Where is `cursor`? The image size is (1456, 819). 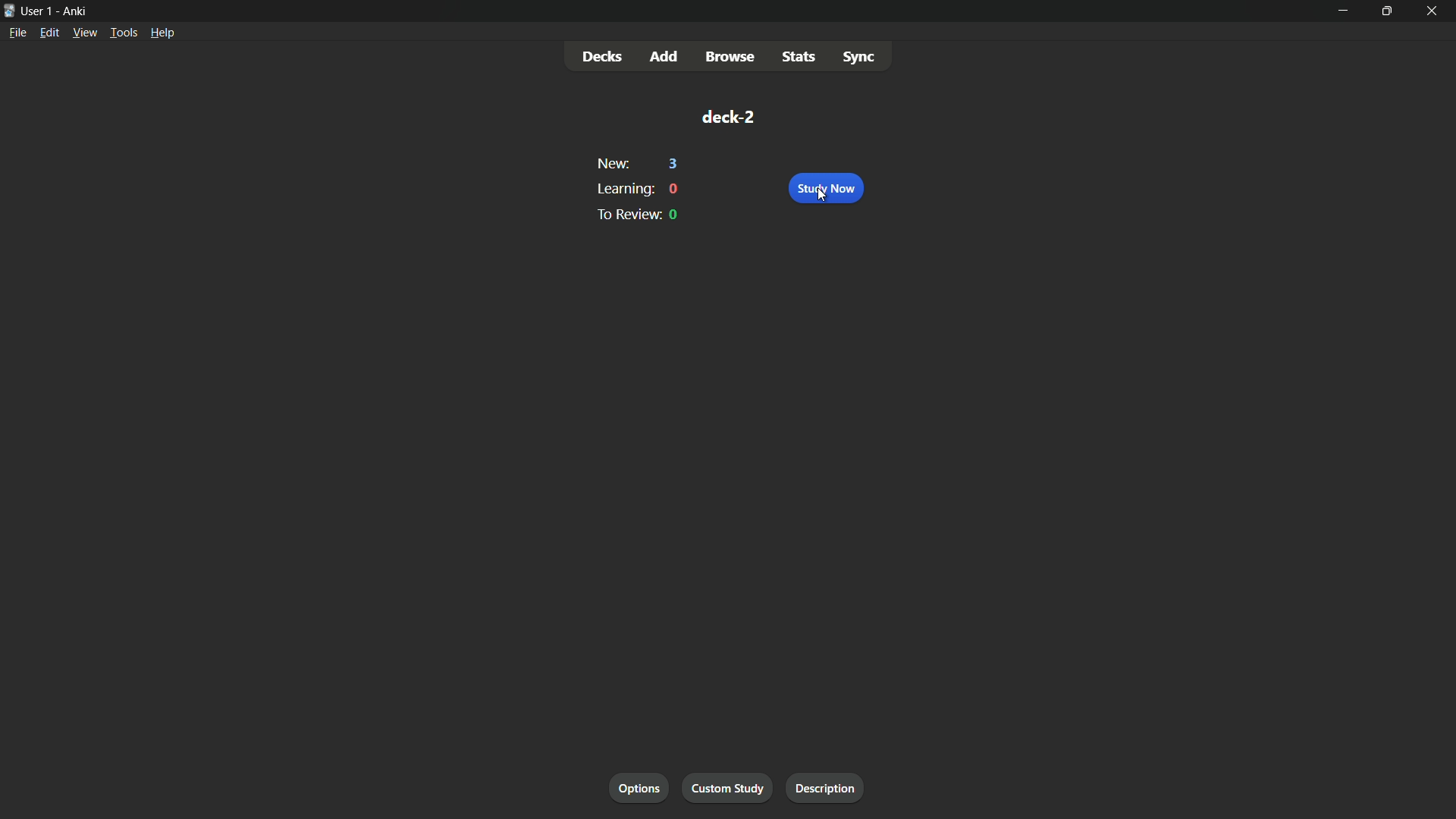
cursor is located at coordinates (823, 196).